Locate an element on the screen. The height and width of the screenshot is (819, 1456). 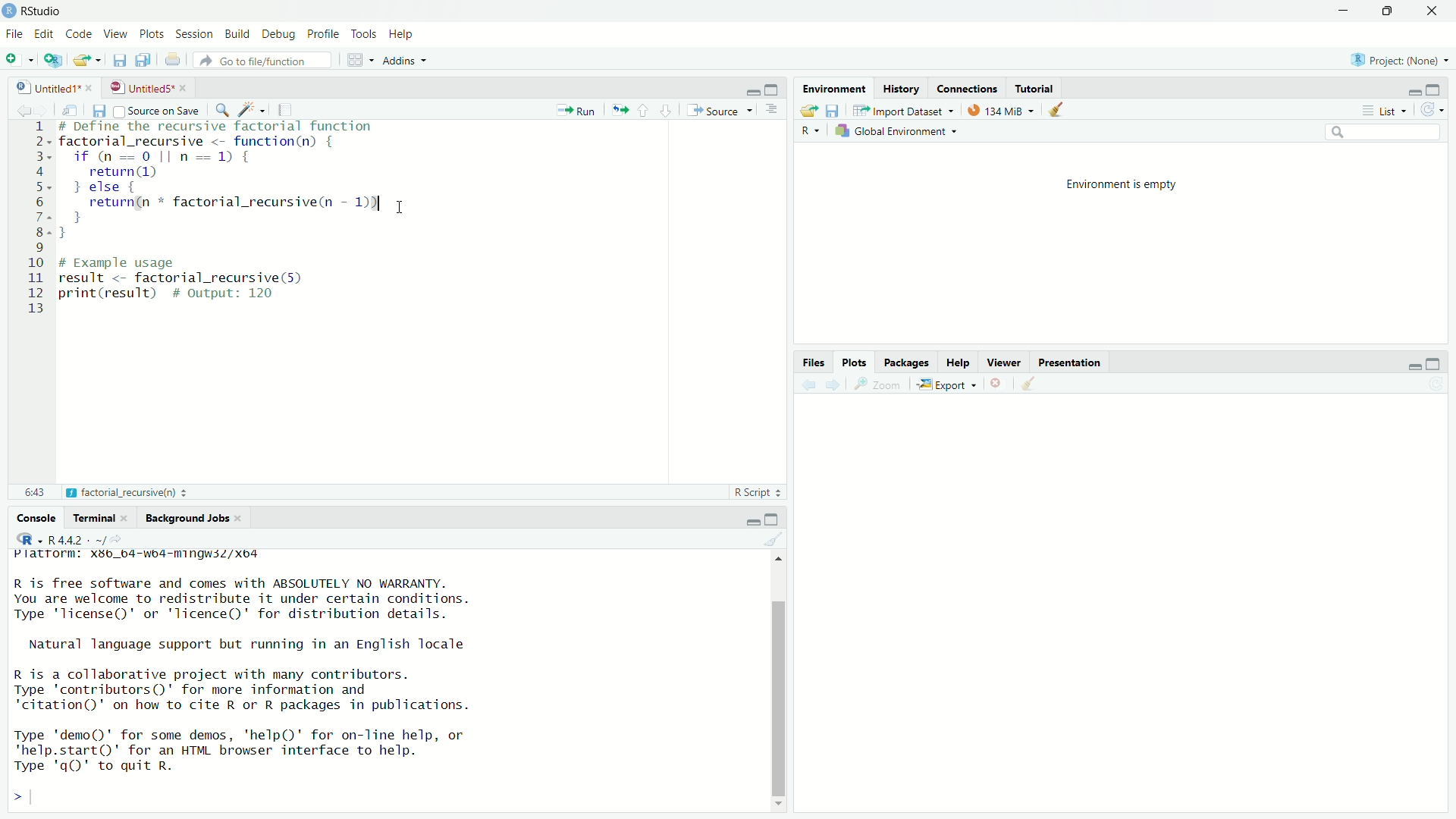
Import Dataset is located at coordinates (909, 109).